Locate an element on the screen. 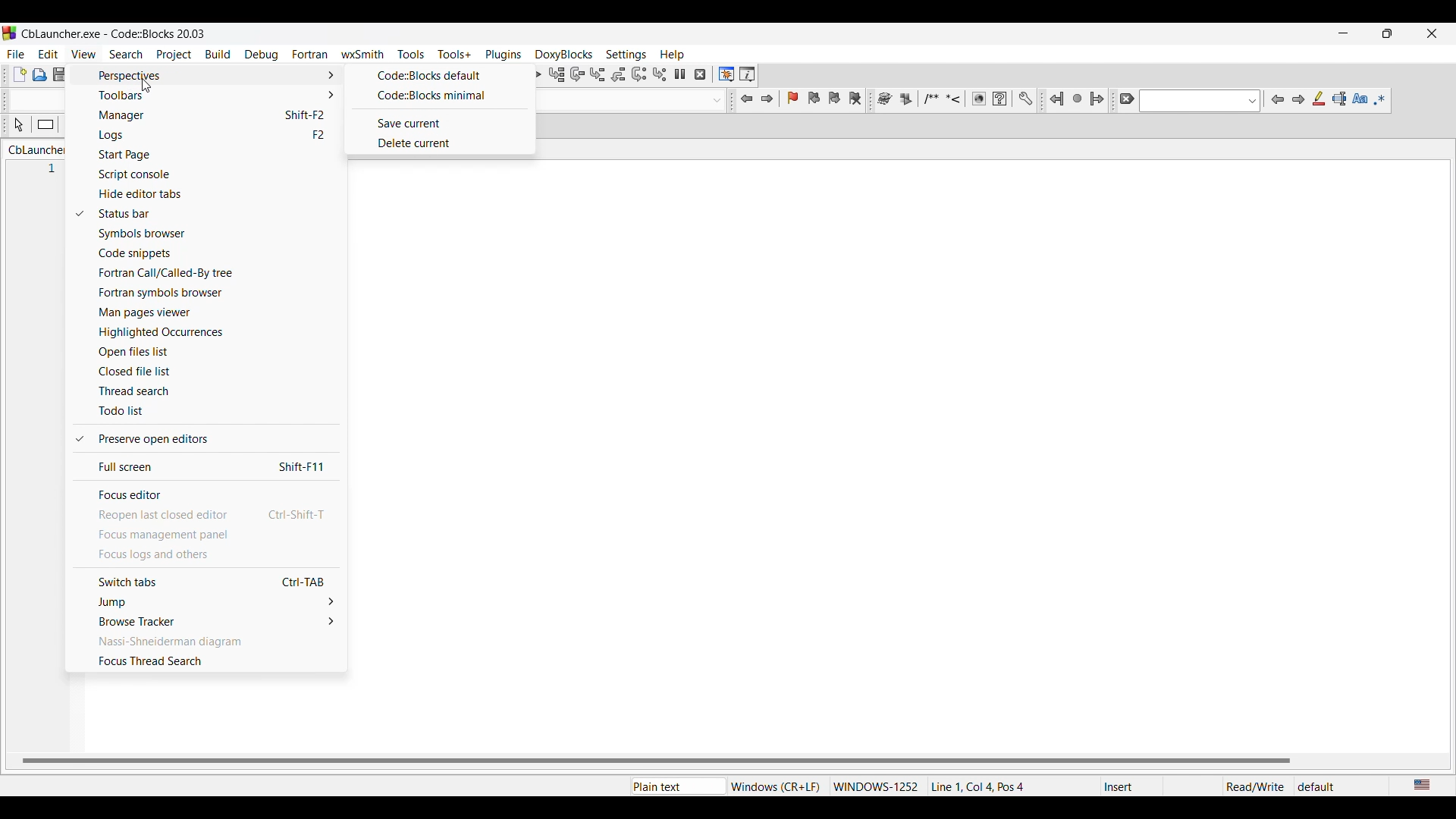 This screenshot has height=819, width=1456. Switch tabs is located at coordinates (208, 581).